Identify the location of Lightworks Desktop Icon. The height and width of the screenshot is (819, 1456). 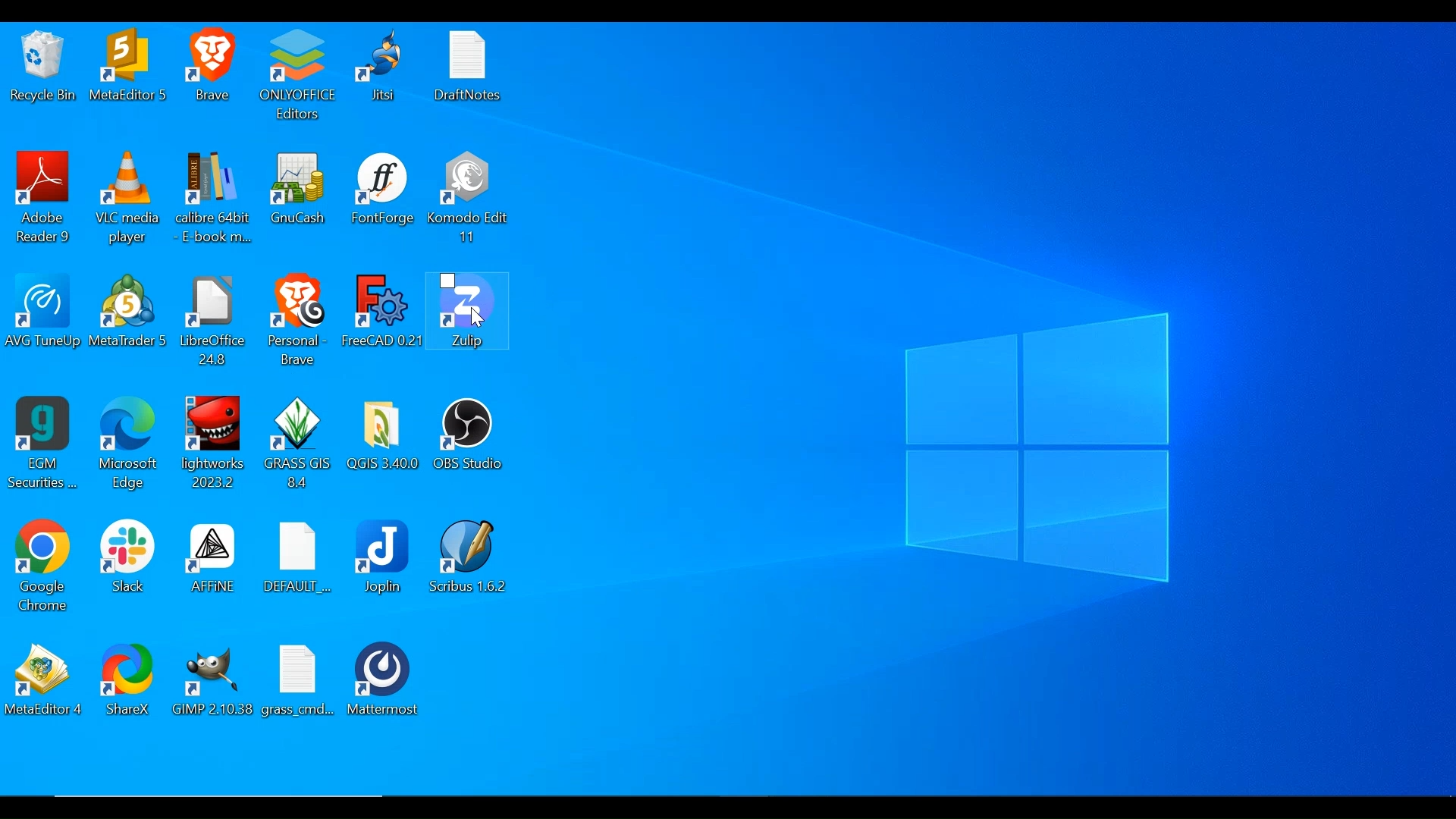
(213, 441).